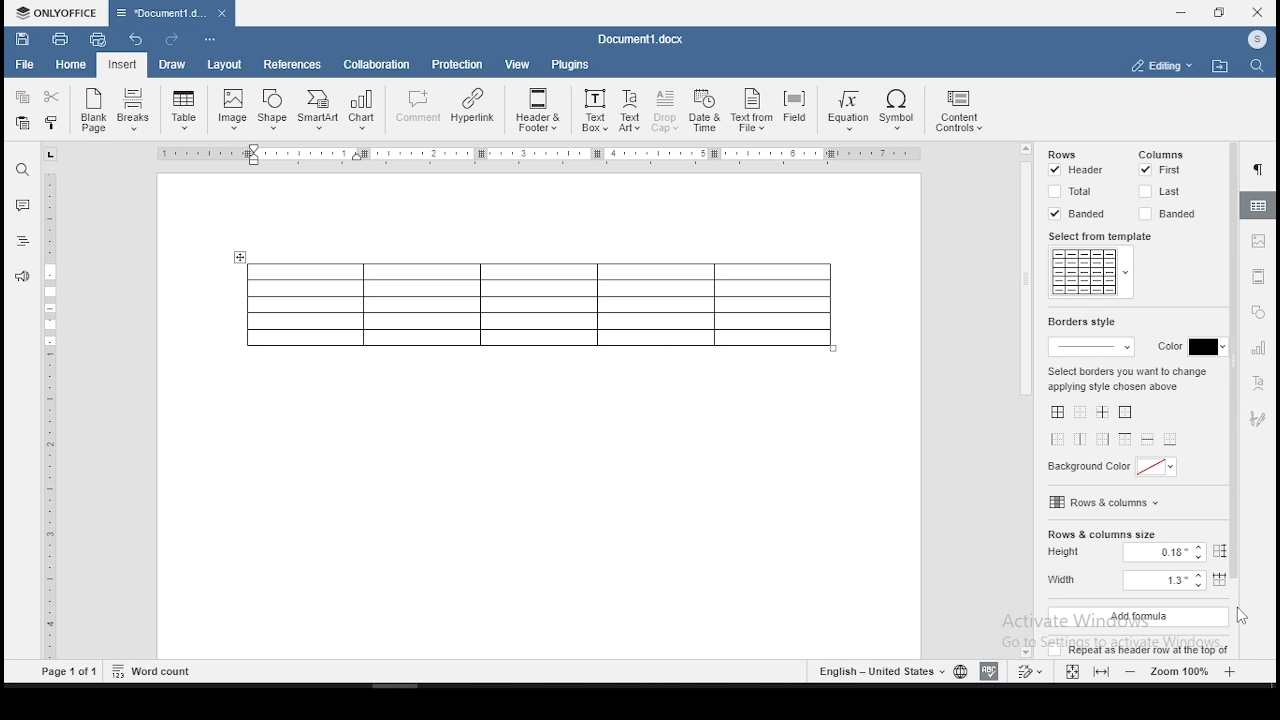 This screenshot has height=720, width=1280. What do you see at coordinates (122, 65) in the screenshot?
I see `input` at bounding box center [122, 65].